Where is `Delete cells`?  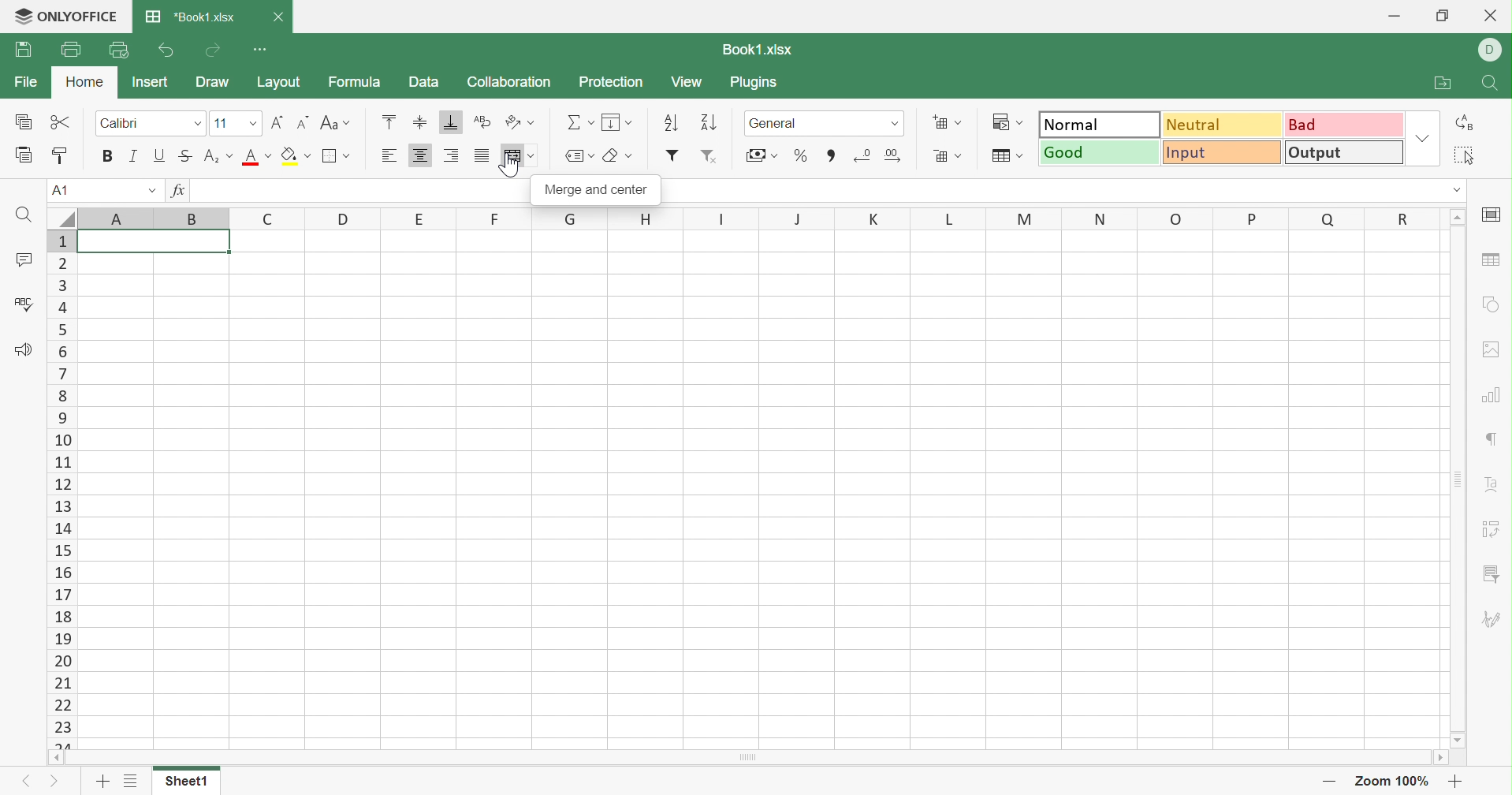 Delete cells is located at coordinates (949, 155).